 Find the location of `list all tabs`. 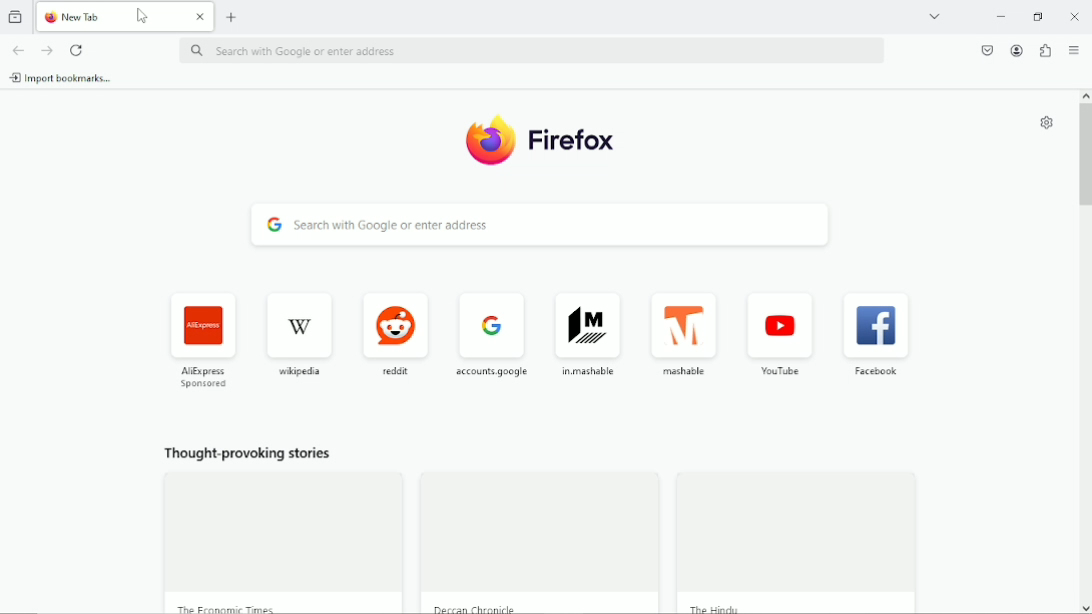

list all tabs is located at coordinates (936, 16).